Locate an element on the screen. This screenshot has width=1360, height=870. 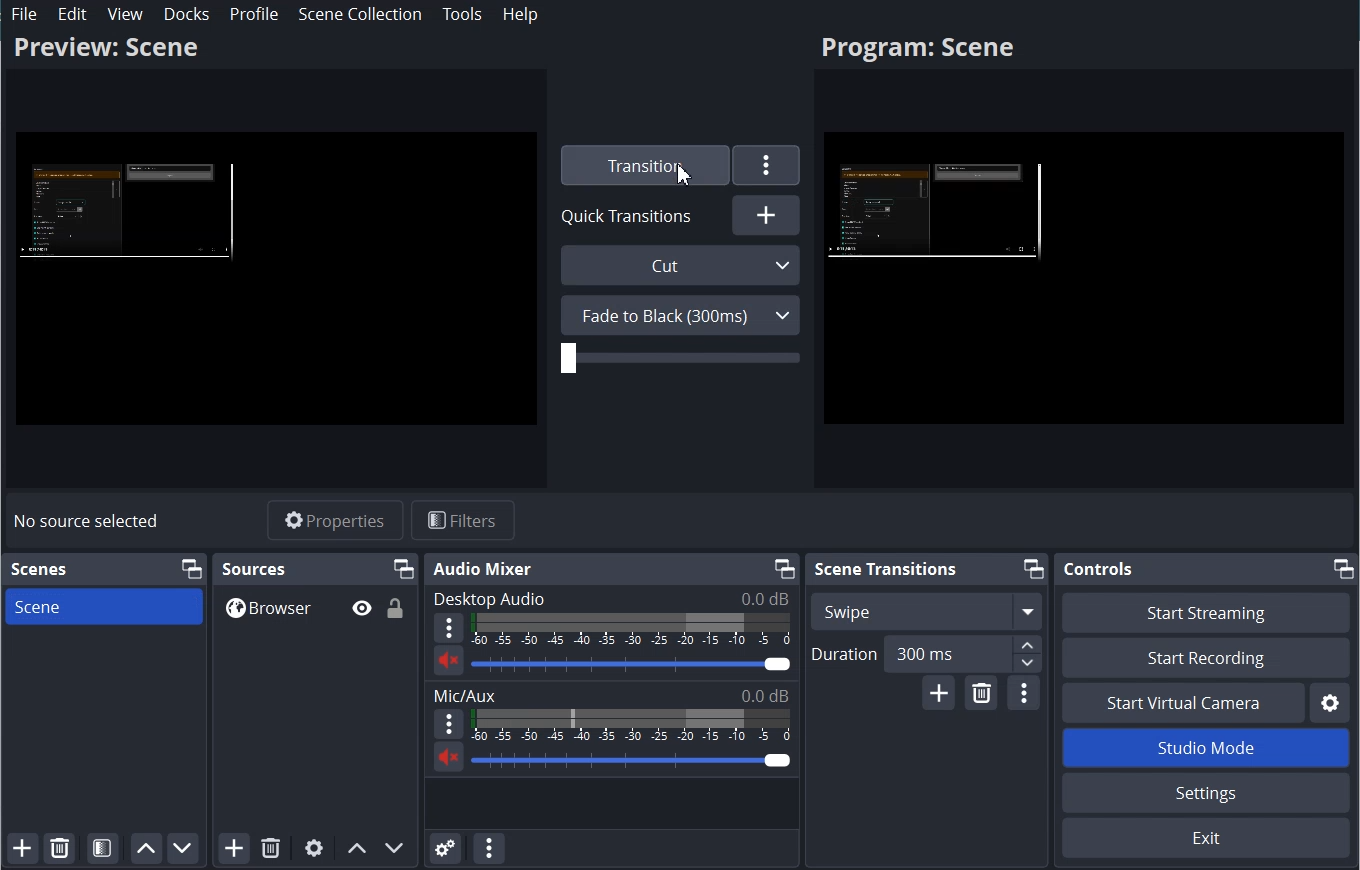
Maximize is located at coordinates (404, 568).